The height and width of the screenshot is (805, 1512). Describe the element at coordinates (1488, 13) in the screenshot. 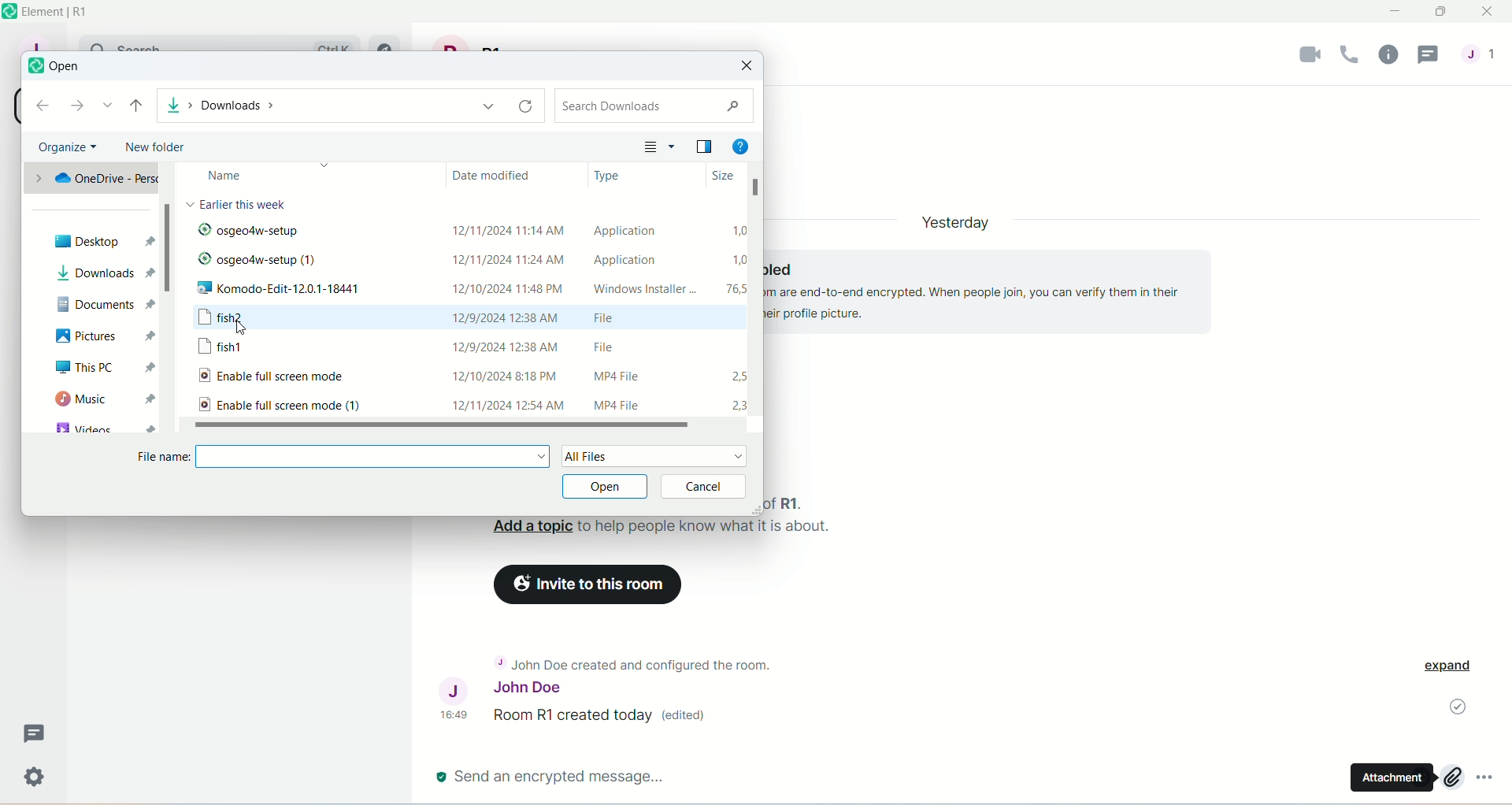

I see `close` at that location.